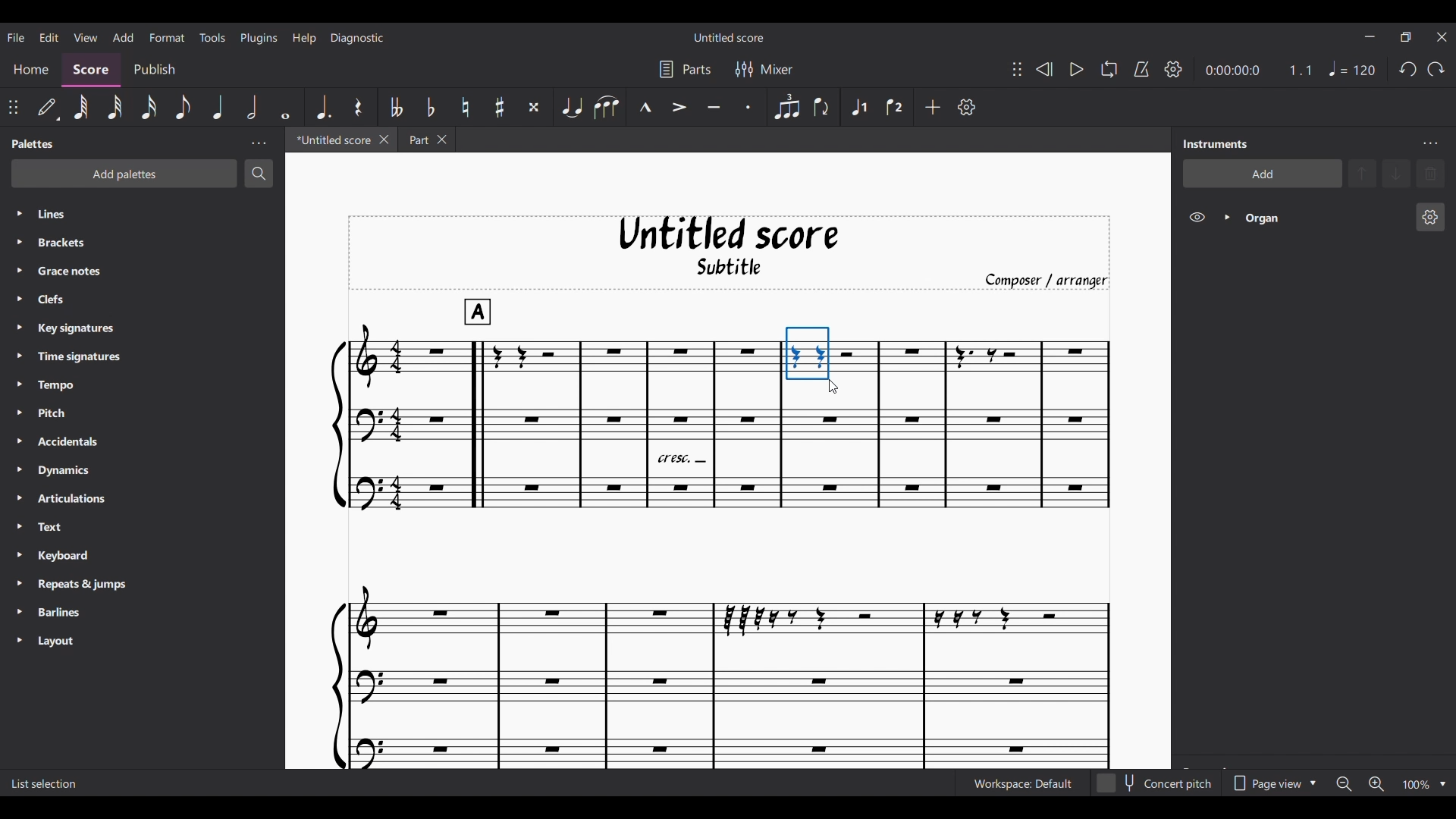 Image resolution: width=1456 pixels, height=819 pixels. Describe the element at coordinates (1345, 784) in the screenshot. I see `Zoom out` at that location.